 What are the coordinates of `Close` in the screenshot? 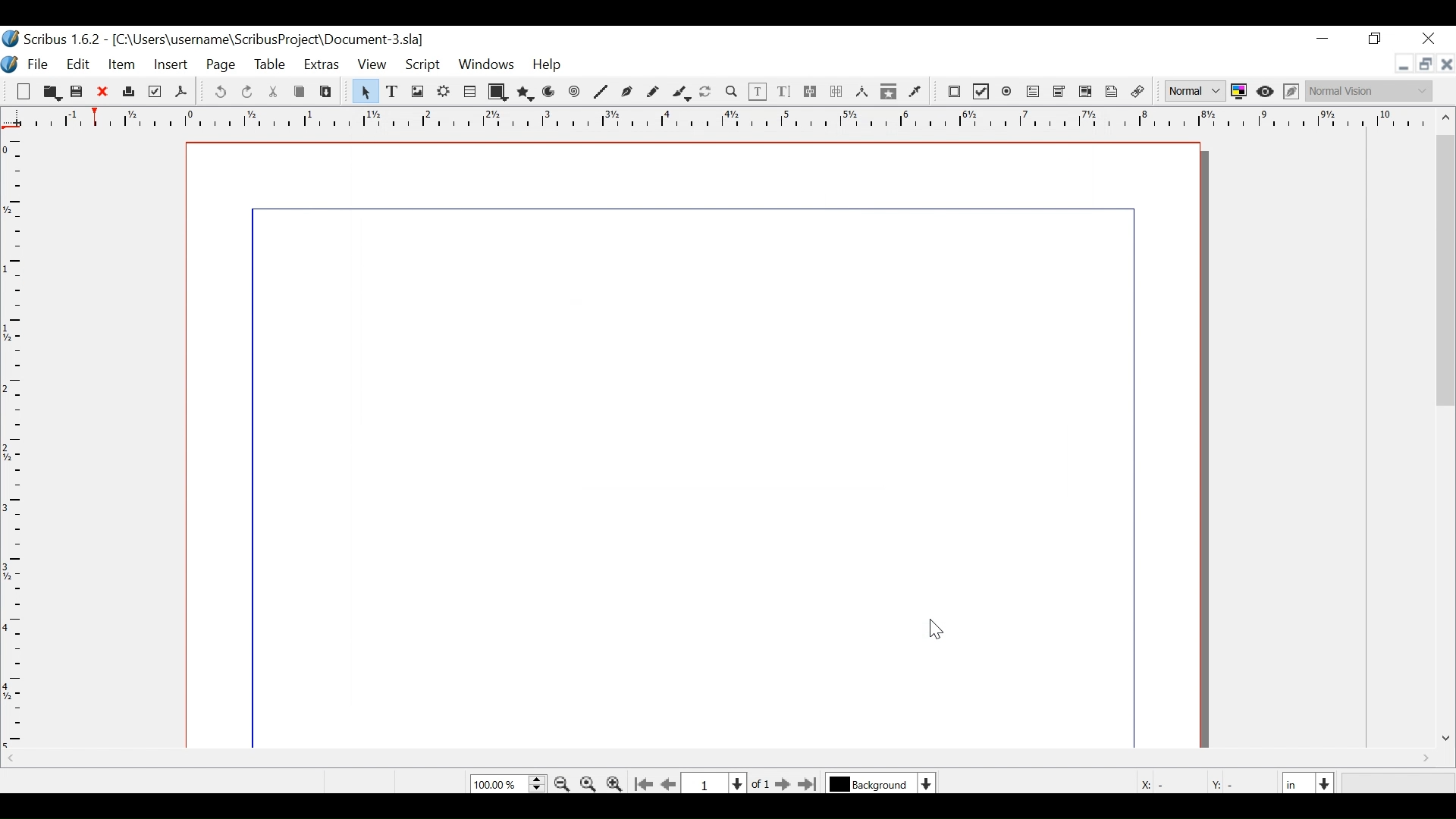 It's located at (103, 93).